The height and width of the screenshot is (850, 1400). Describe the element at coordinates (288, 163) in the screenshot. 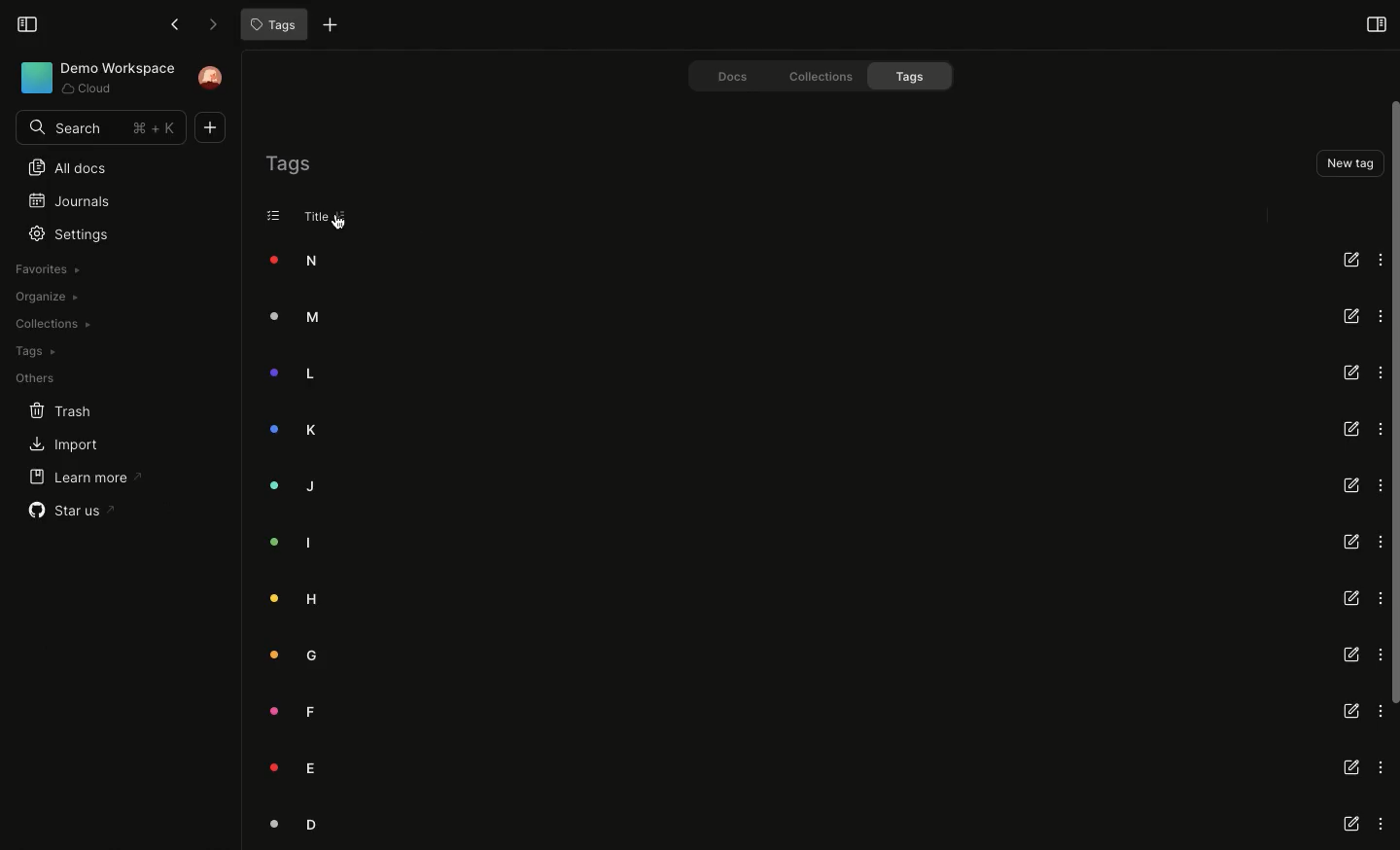

I see `Tags` at that location.